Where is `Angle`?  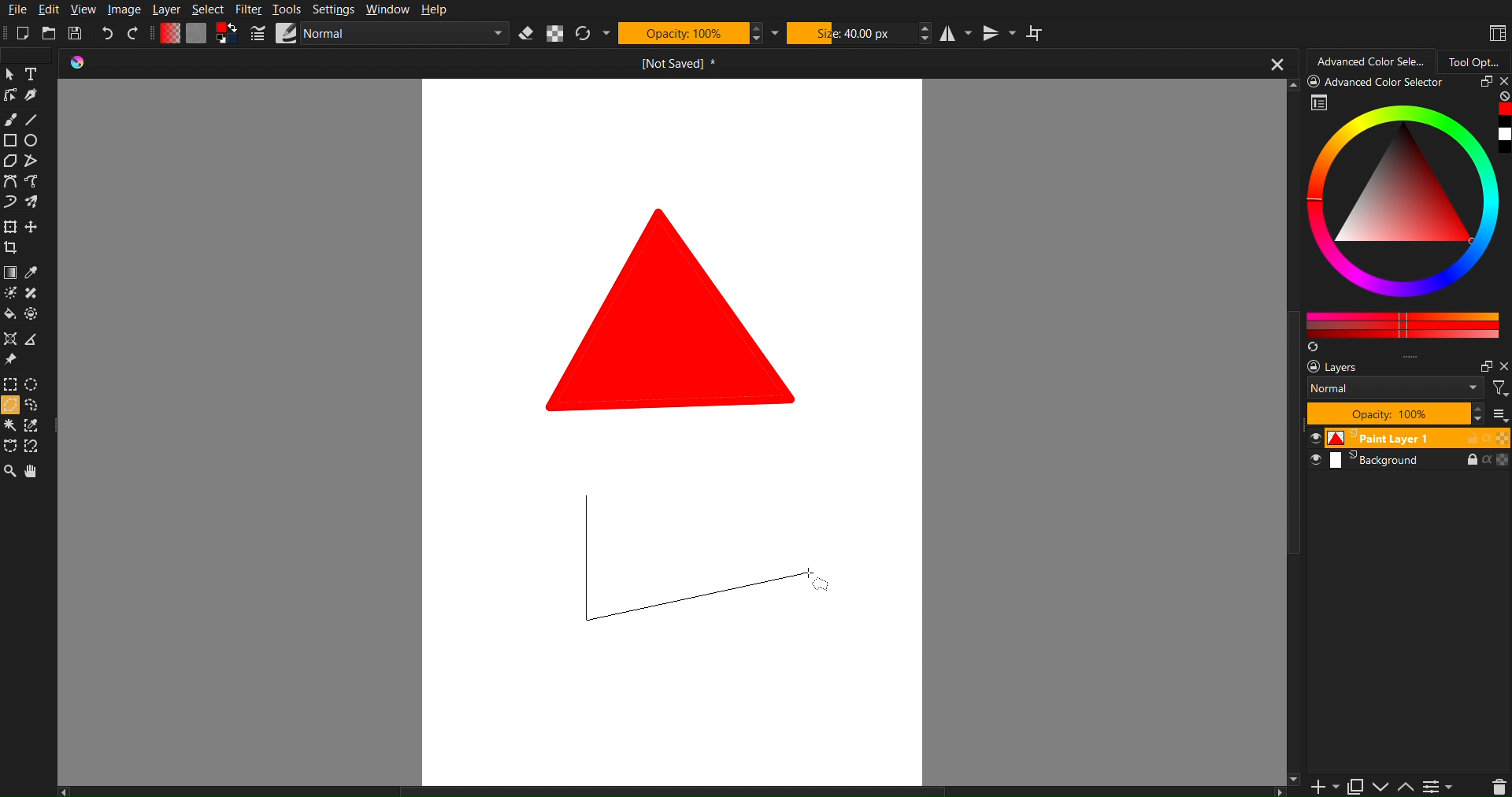 Angle is located at coordinates (31, 342).